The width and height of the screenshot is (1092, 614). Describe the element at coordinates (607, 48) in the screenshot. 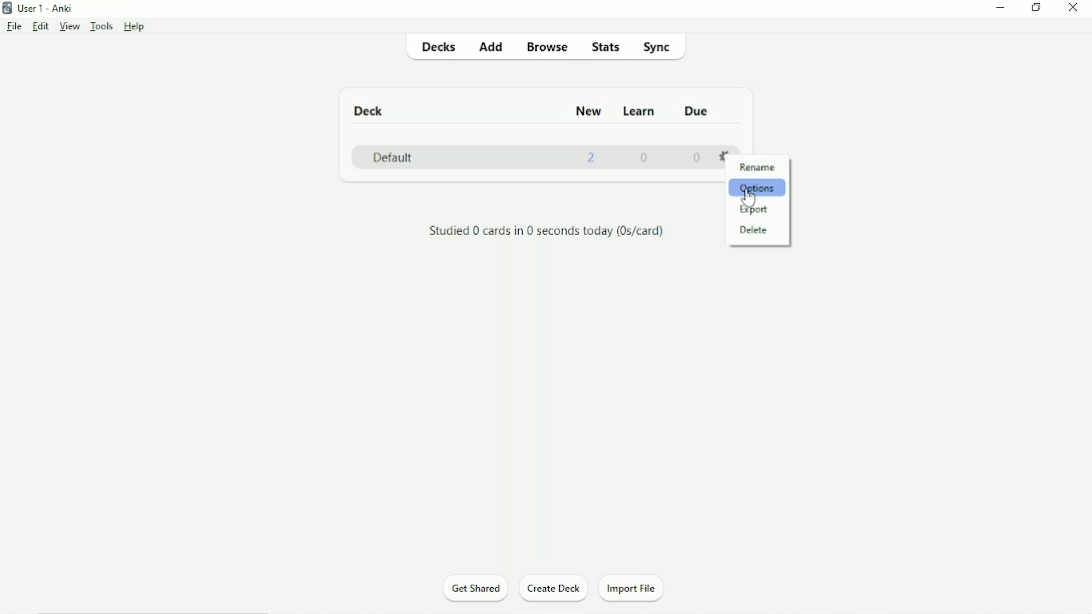

I see `Stats` at that location.